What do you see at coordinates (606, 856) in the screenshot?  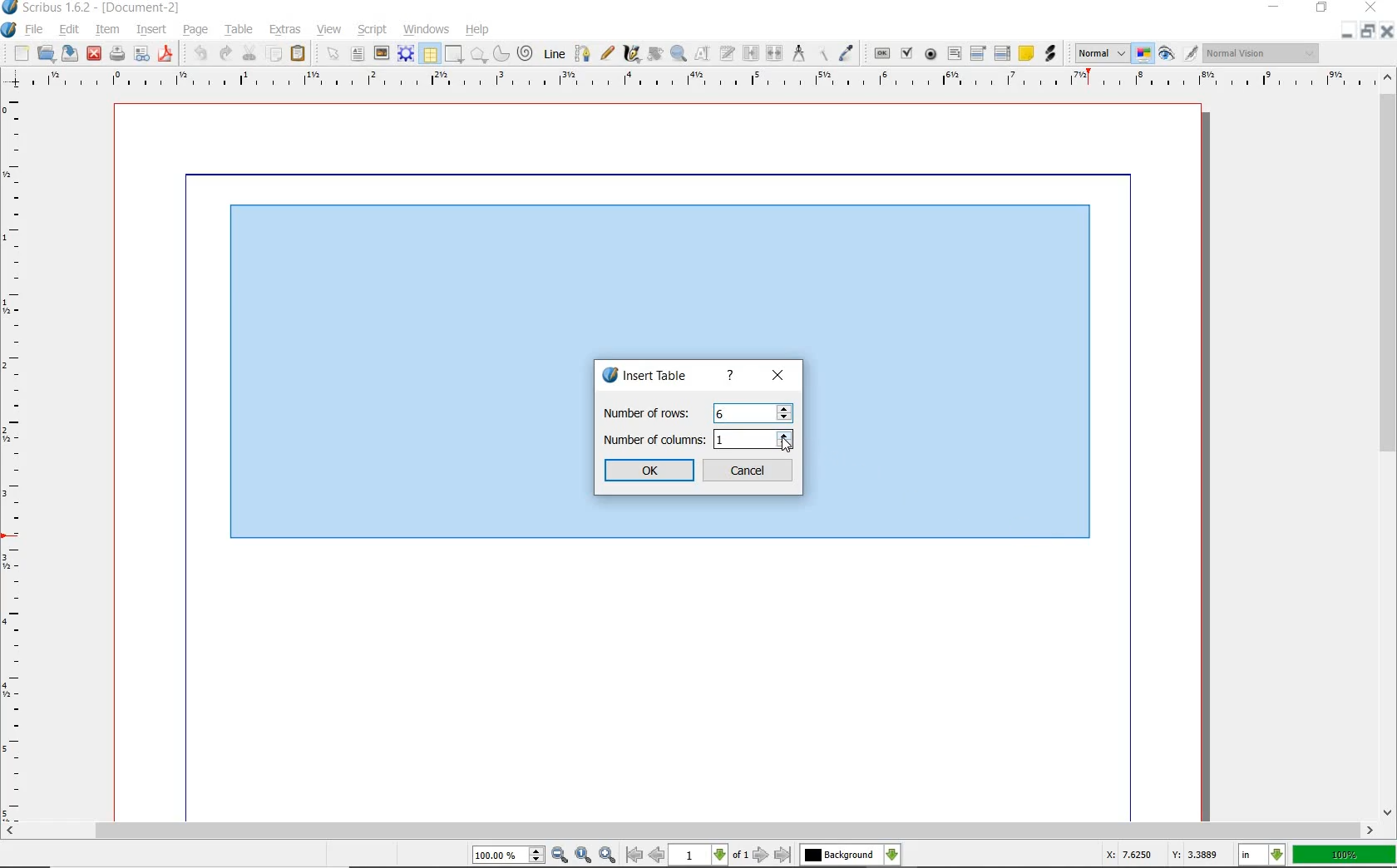 I see `zoom in` at bounding box center [606, 856].